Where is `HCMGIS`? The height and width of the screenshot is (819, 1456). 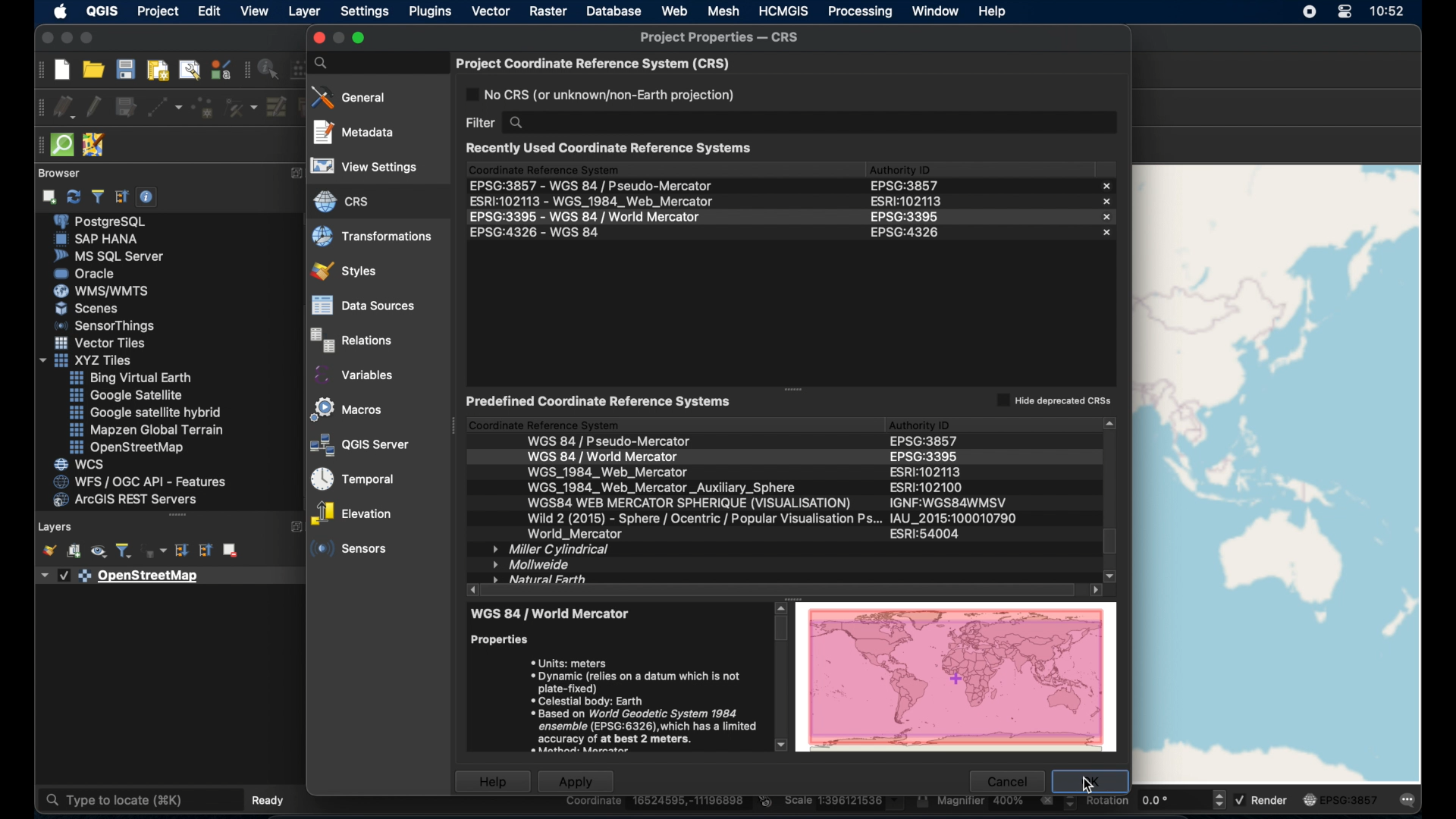
HCMGIS is located at coordinates (786, 11).